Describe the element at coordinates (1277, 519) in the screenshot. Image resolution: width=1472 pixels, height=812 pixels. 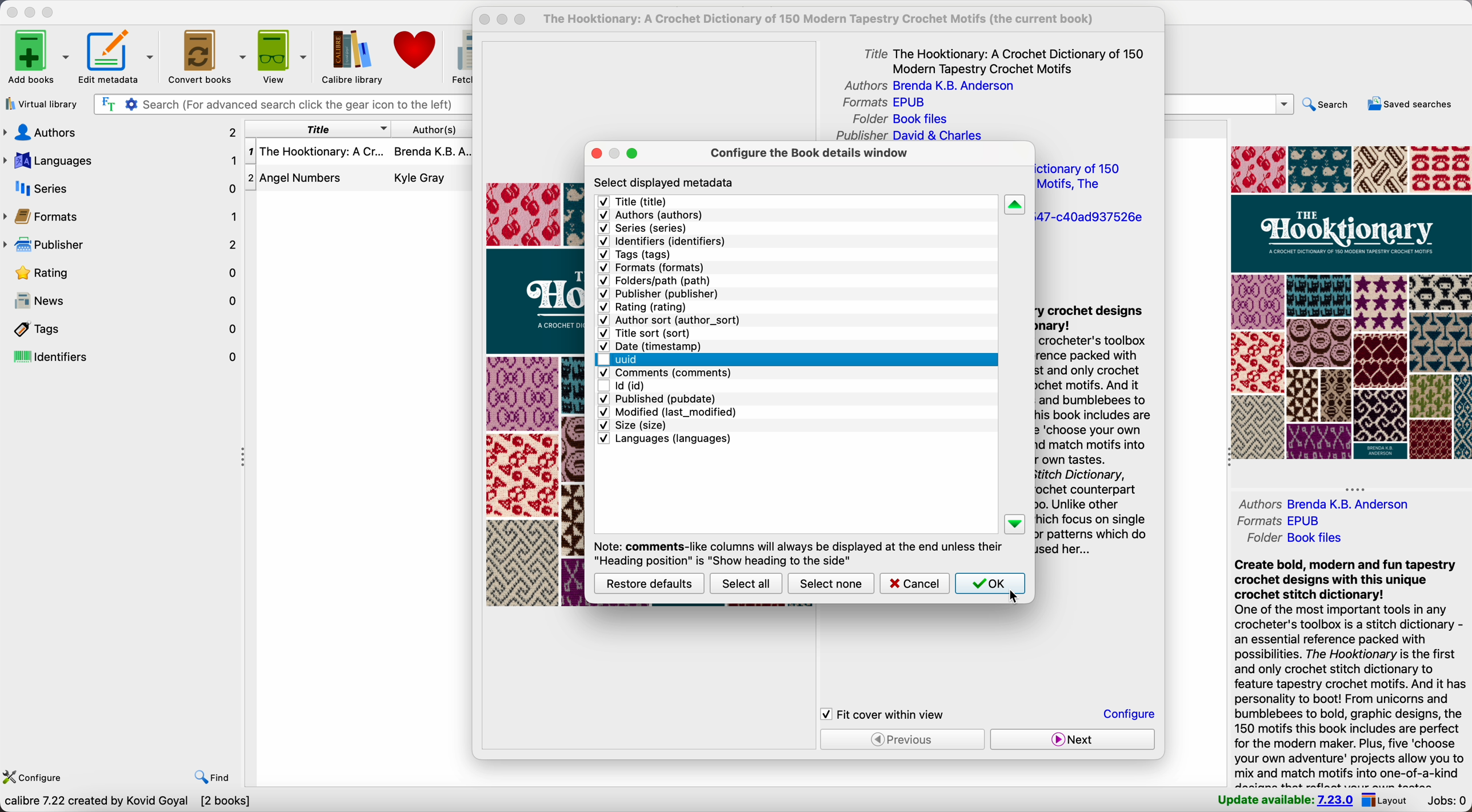
I see `formats` at that location.